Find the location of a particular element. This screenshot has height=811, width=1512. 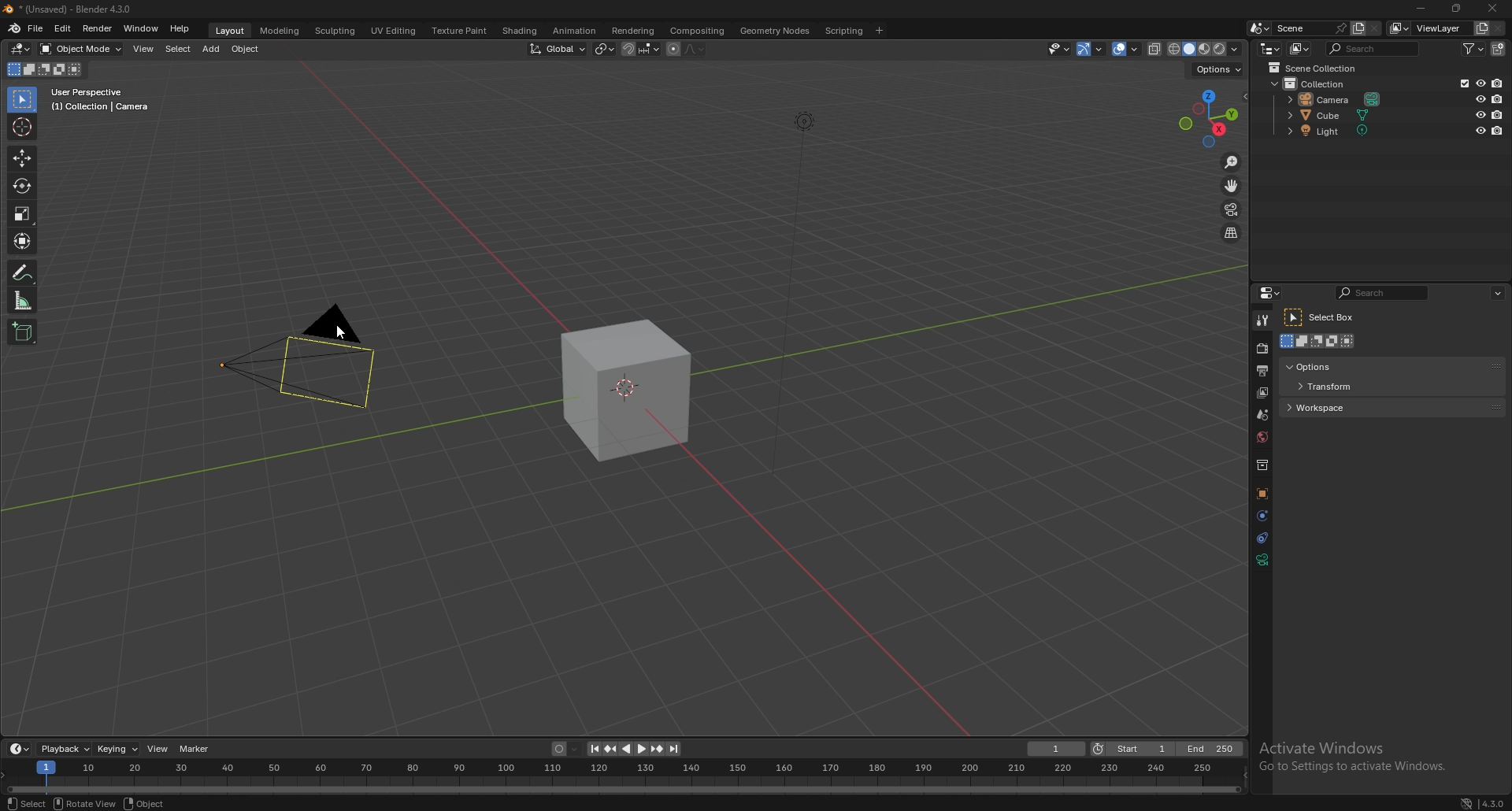

info is located at coordinates (103, 100).